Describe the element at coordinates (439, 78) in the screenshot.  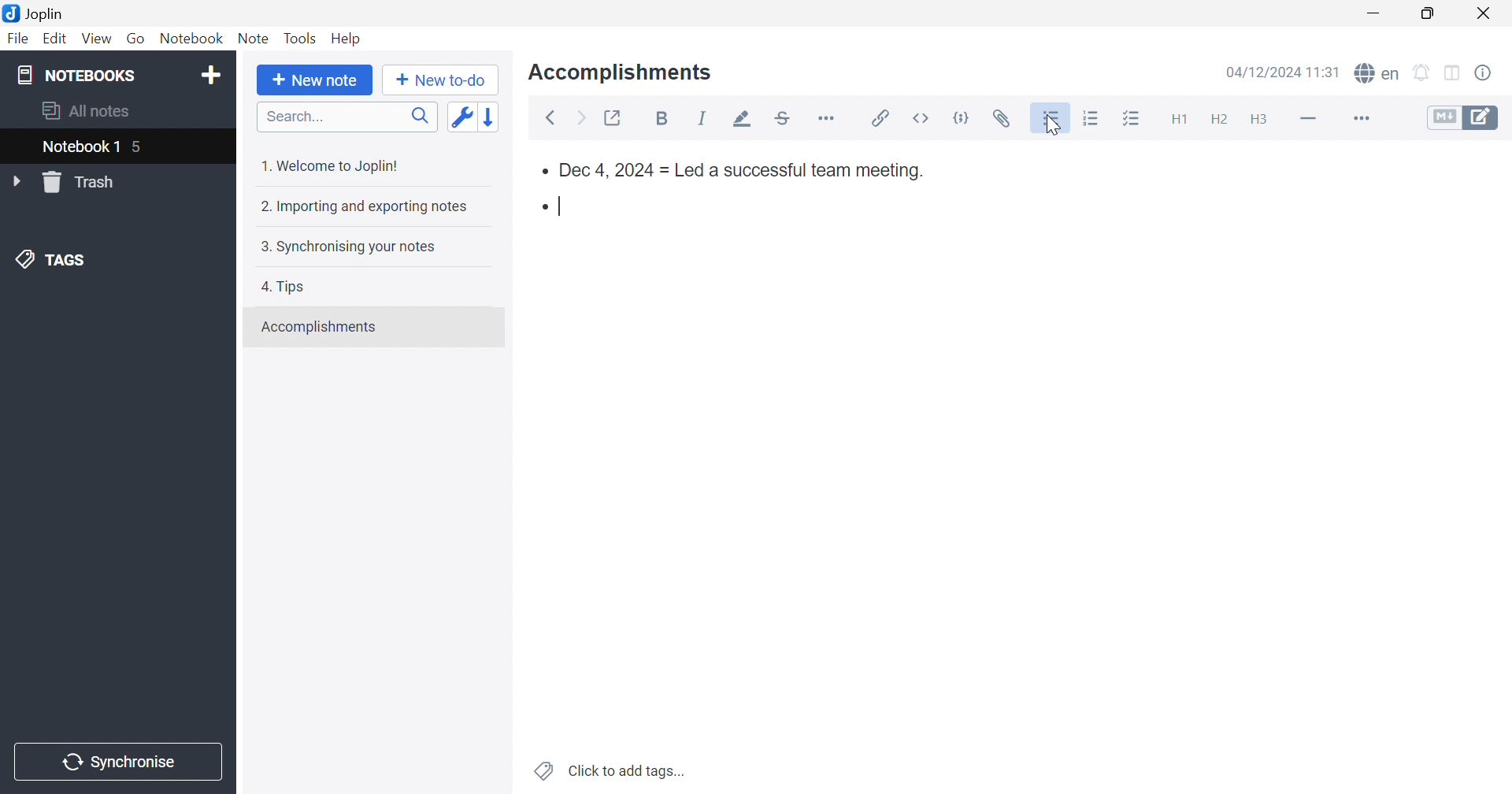
I see `New to-do` at that location.